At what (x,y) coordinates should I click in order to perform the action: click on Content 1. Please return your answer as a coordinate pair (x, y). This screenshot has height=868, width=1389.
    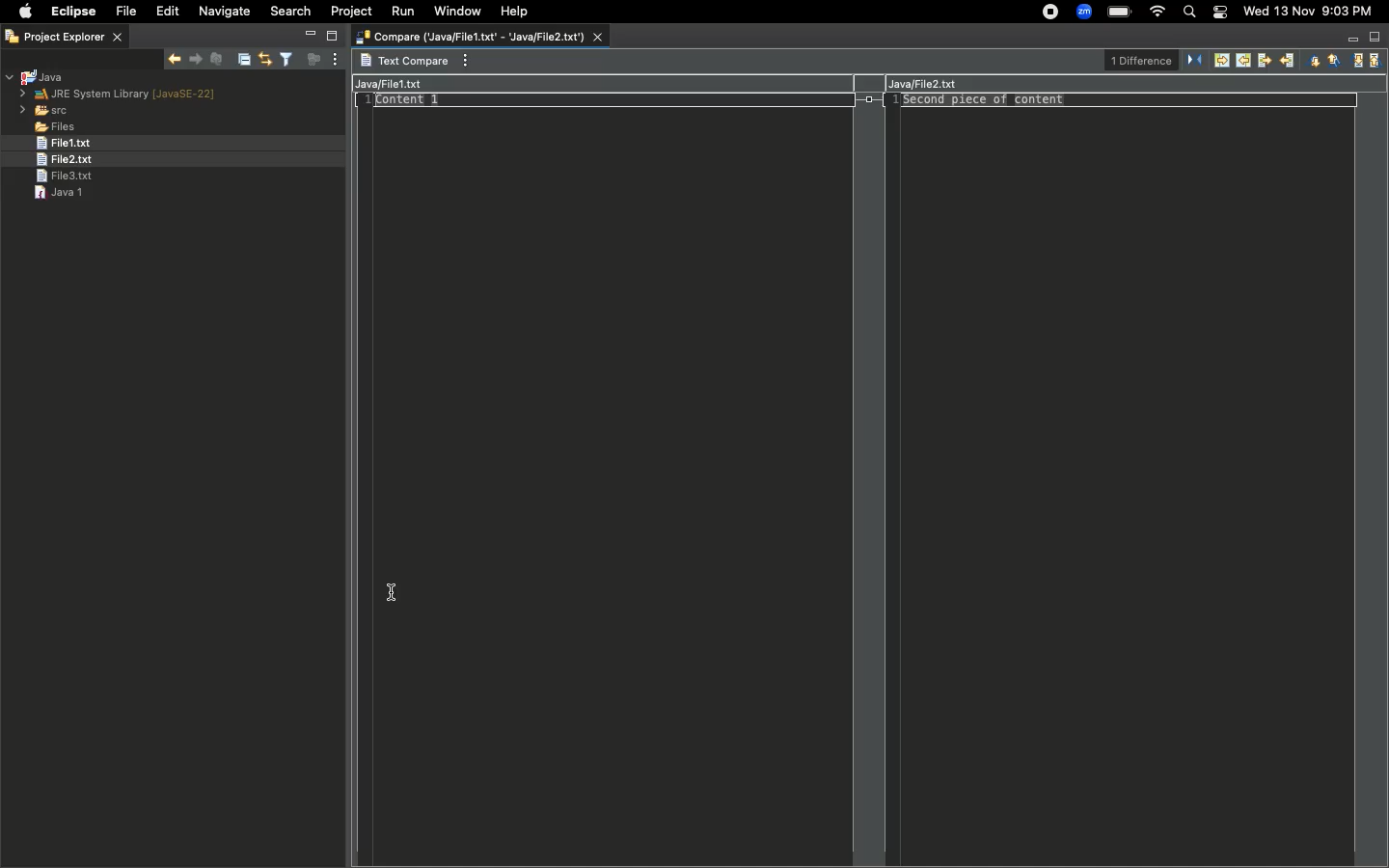
    Looking at the image, I should click on (415, 102).